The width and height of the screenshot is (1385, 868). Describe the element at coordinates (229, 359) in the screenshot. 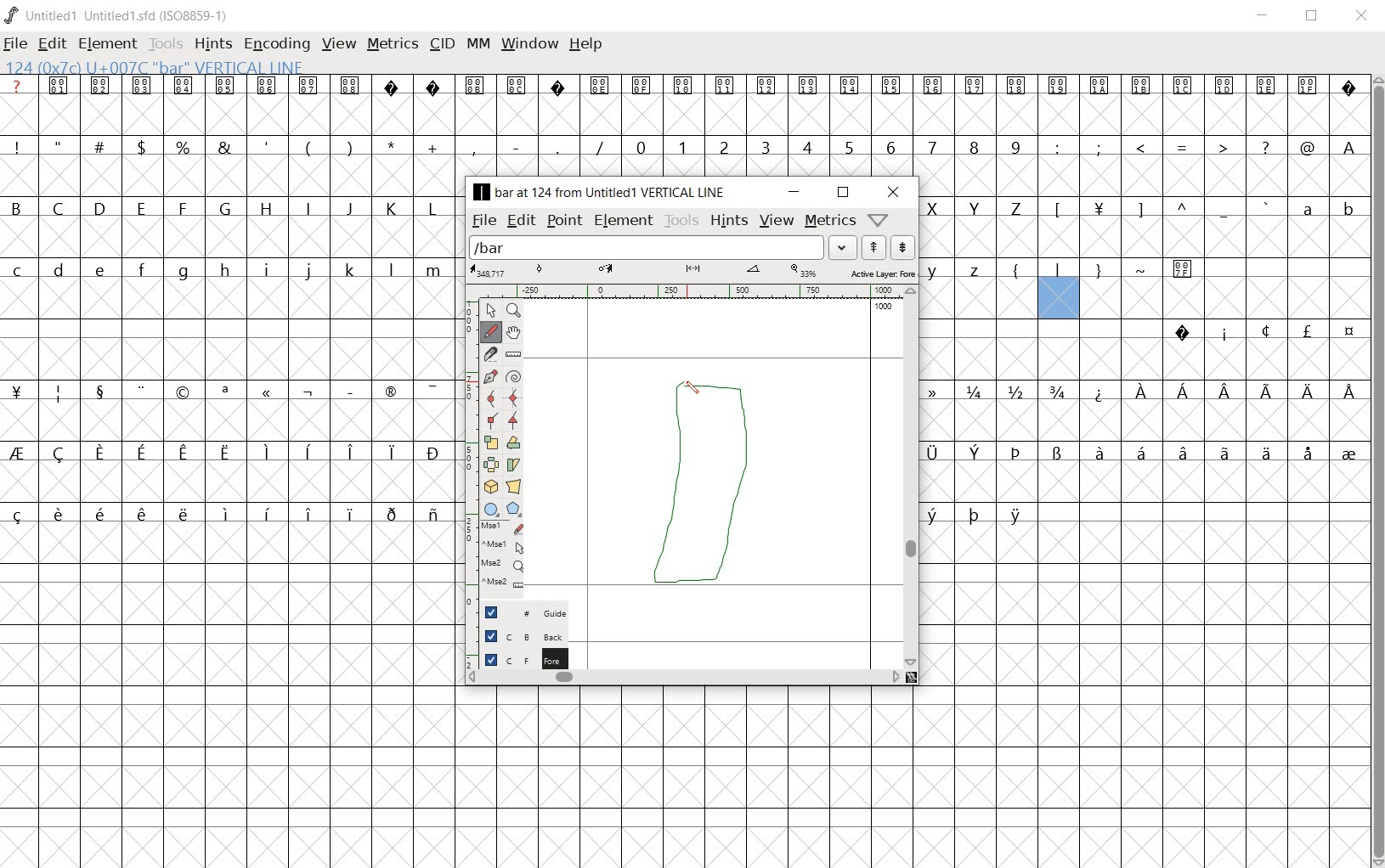

I see `empty cells` at that location.